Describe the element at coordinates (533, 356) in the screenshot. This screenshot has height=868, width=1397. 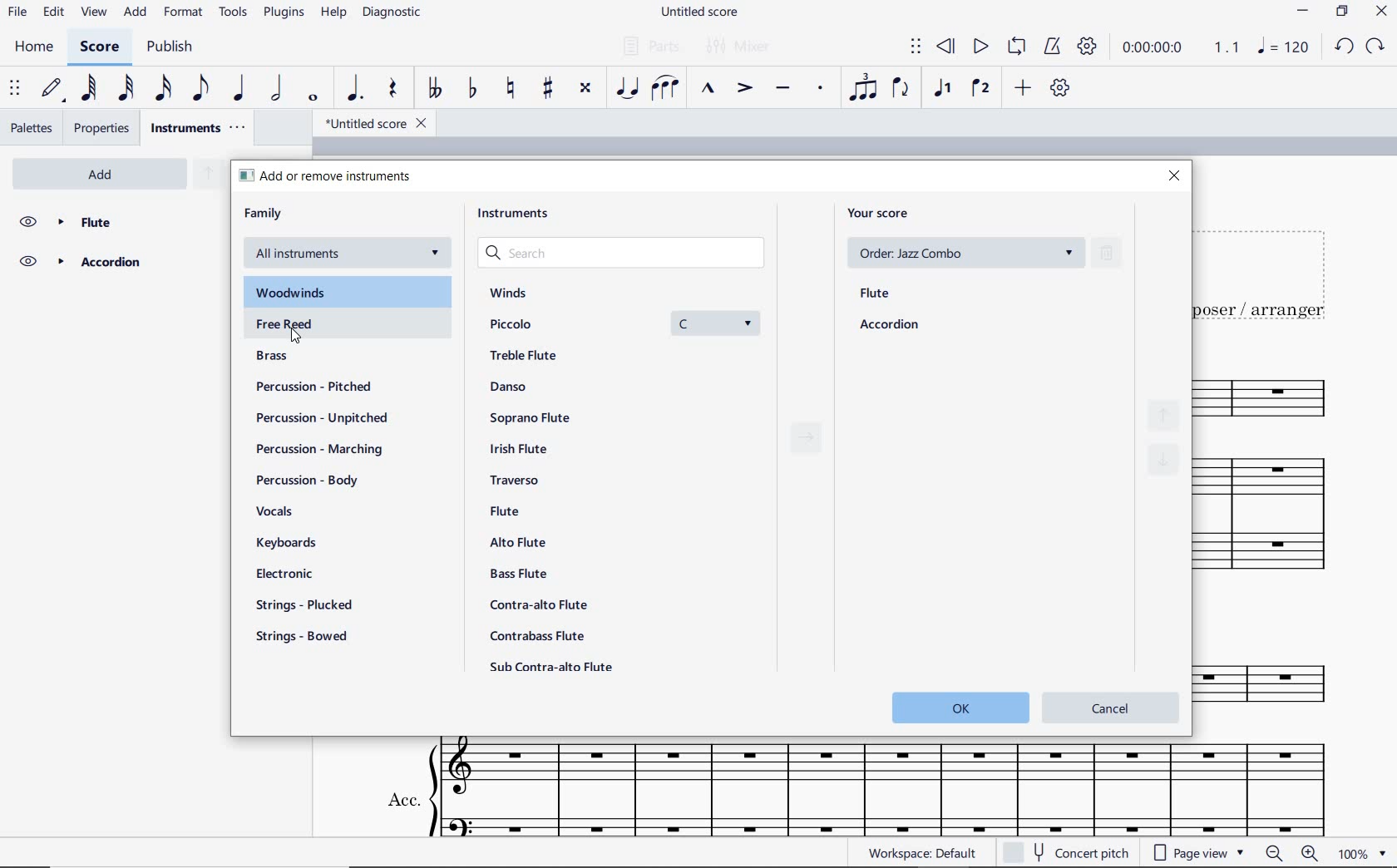
I see `treble flute` at that location.